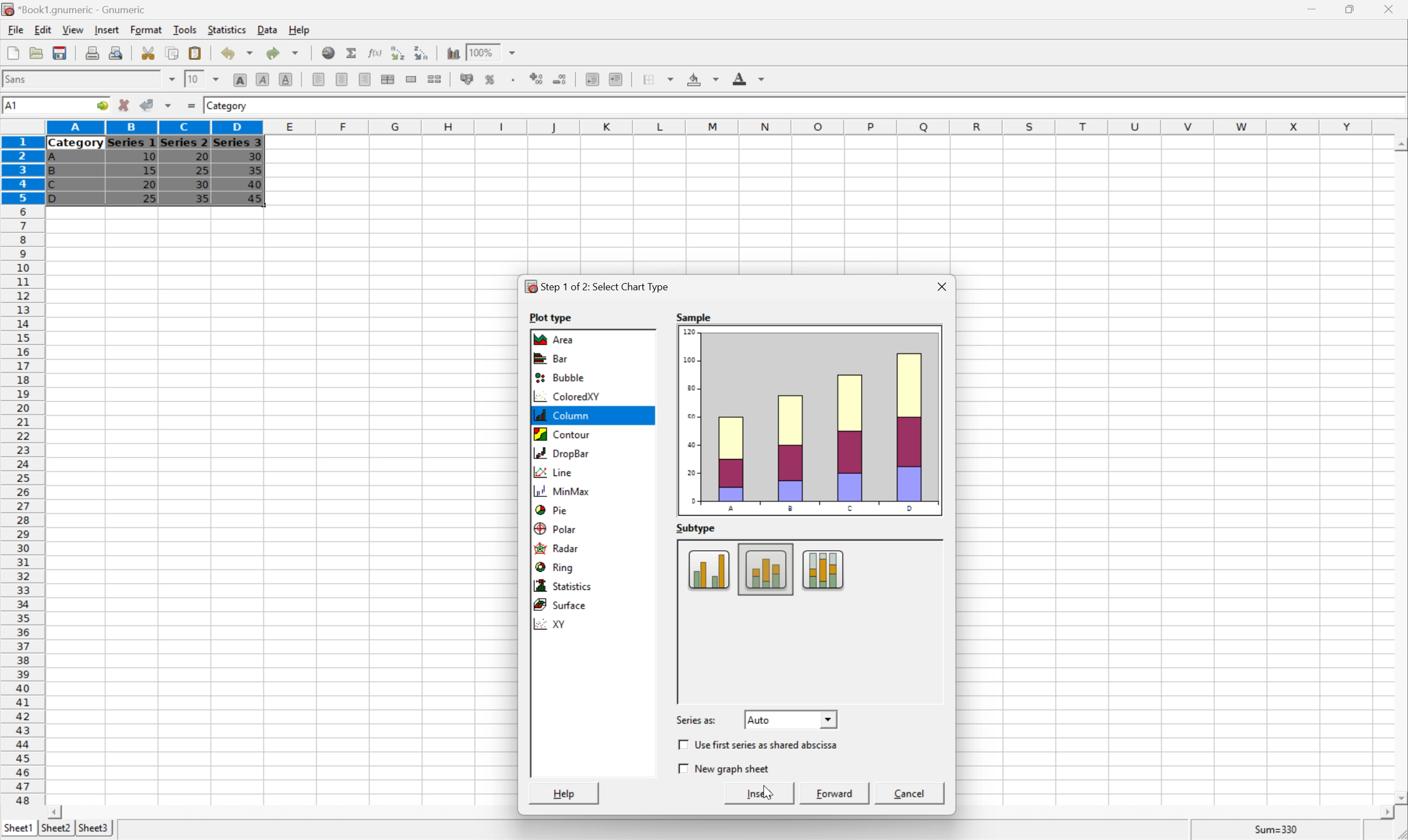  Describe the element at coordinates (300, 31) in the screenshot. I see `Help` at that location.